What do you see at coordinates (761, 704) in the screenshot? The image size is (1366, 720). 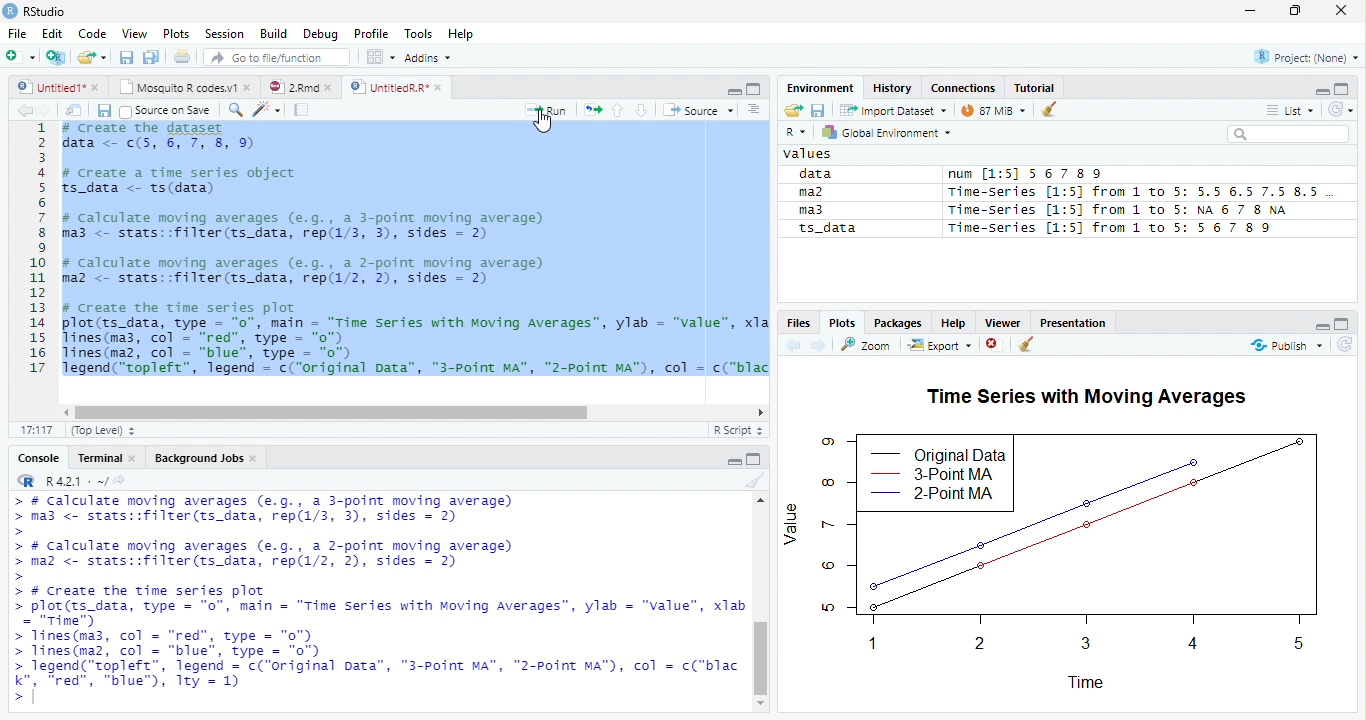 I see `scrollbar down` at bounding box center [761, 704].